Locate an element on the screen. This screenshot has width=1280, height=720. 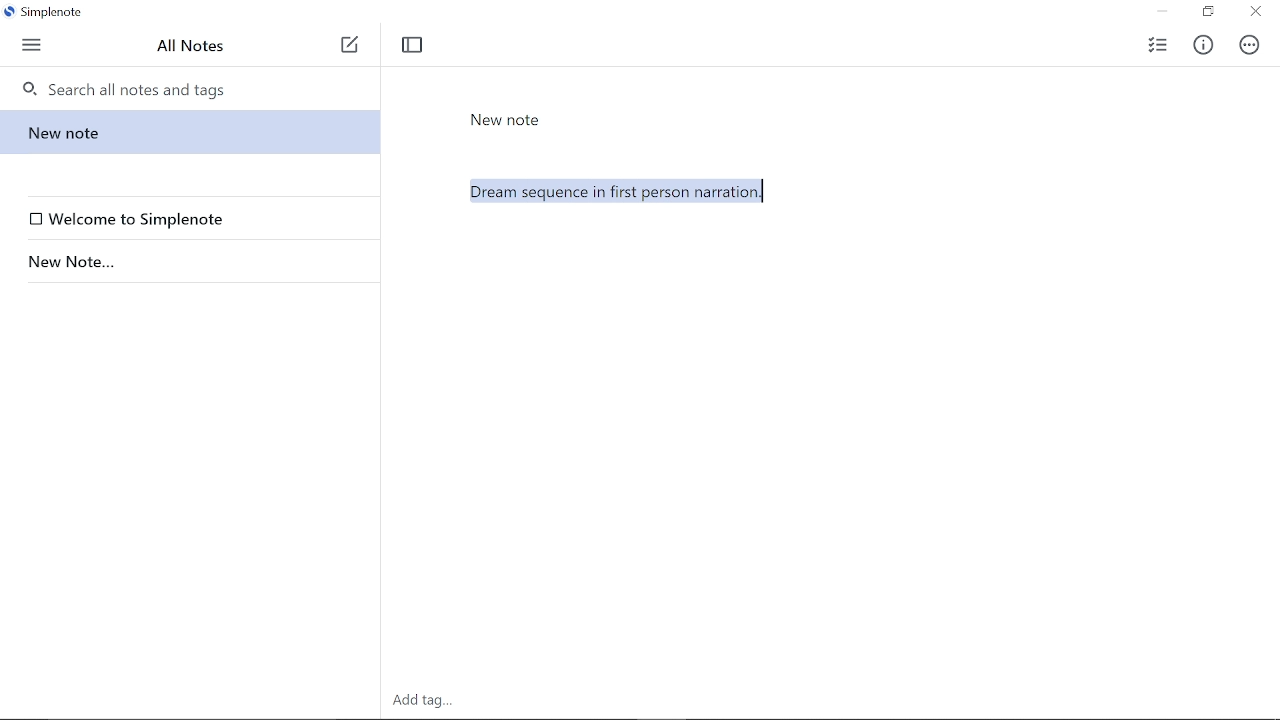
Search all notes and tags is located at coordinates (197, 88).